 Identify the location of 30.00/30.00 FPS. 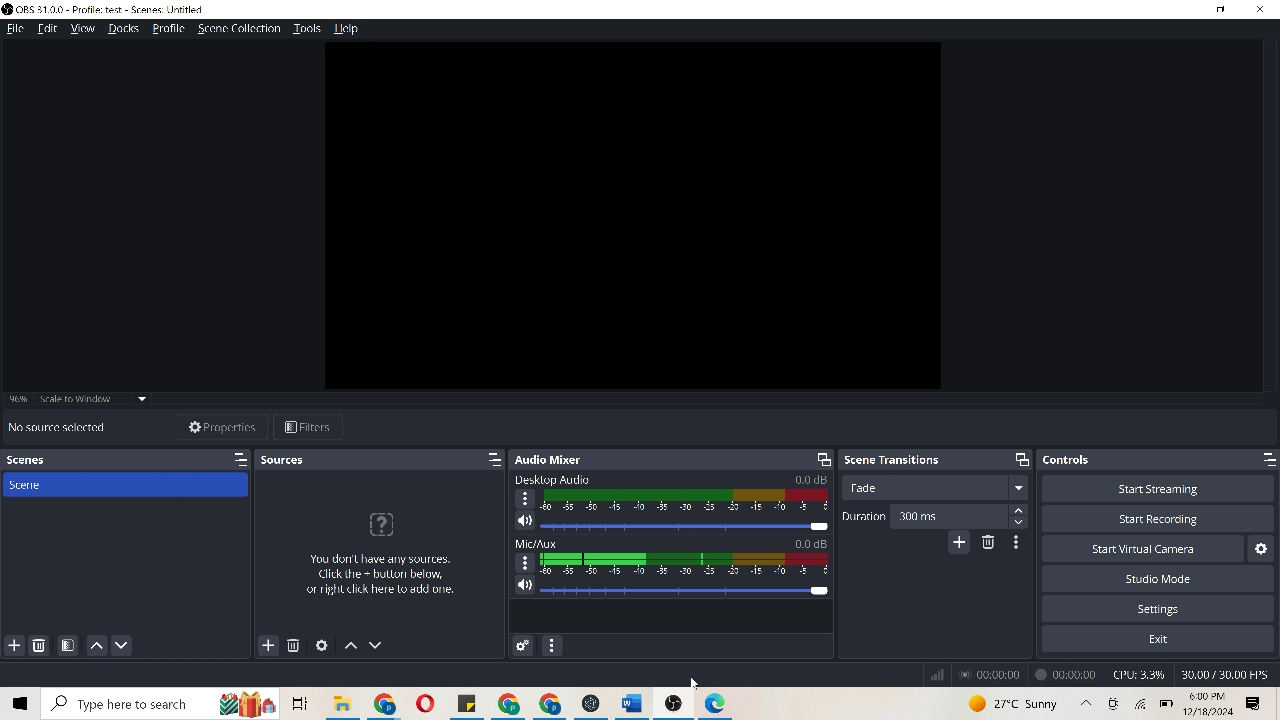
(1224, 673).